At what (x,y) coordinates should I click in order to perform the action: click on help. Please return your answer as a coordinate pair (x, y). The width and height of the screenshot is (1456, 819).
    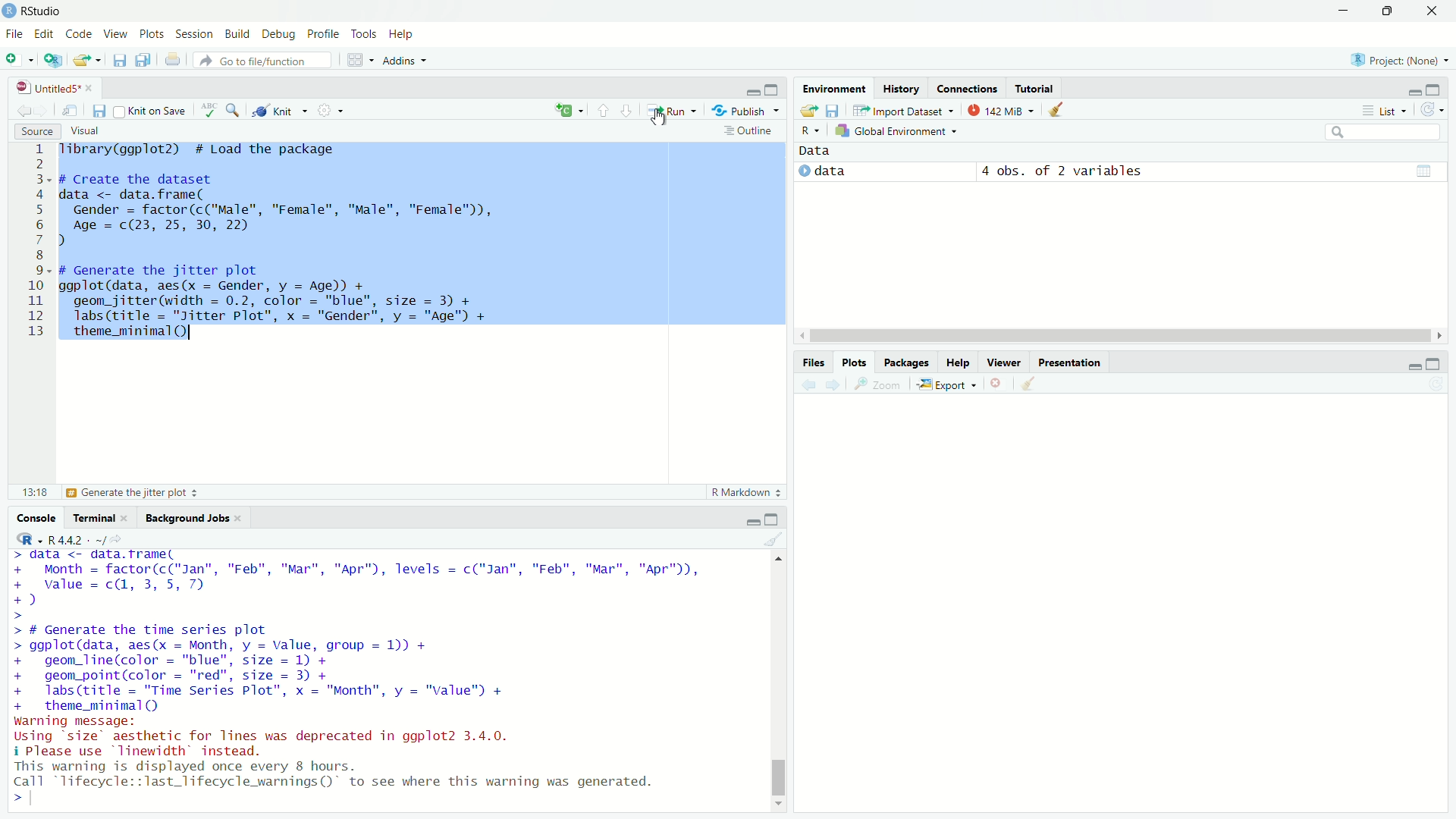
    Looking at the image, I should click on (959, 364).